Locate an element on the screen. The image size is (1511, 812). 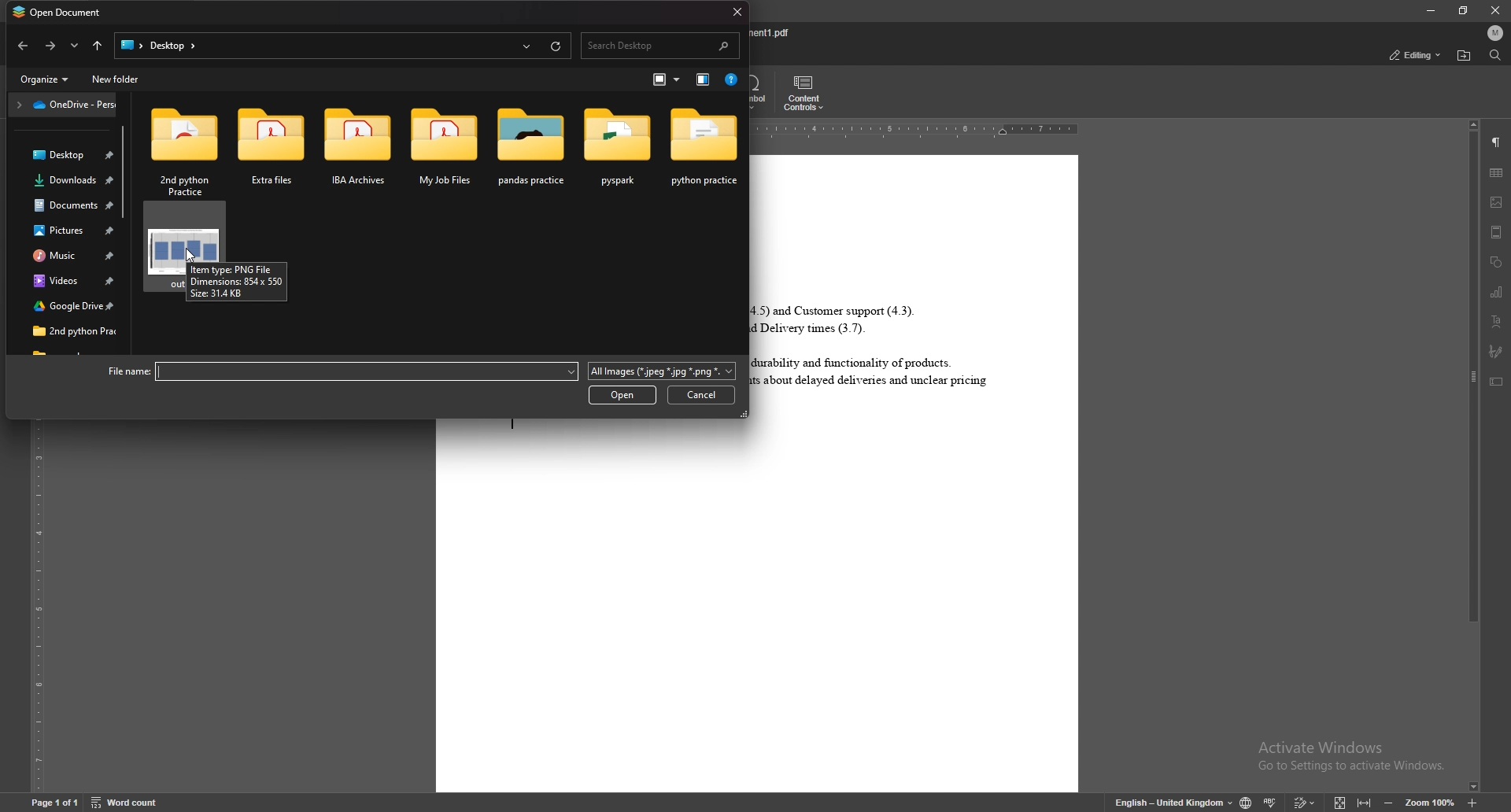
close is located at coordinates (1493, 10).